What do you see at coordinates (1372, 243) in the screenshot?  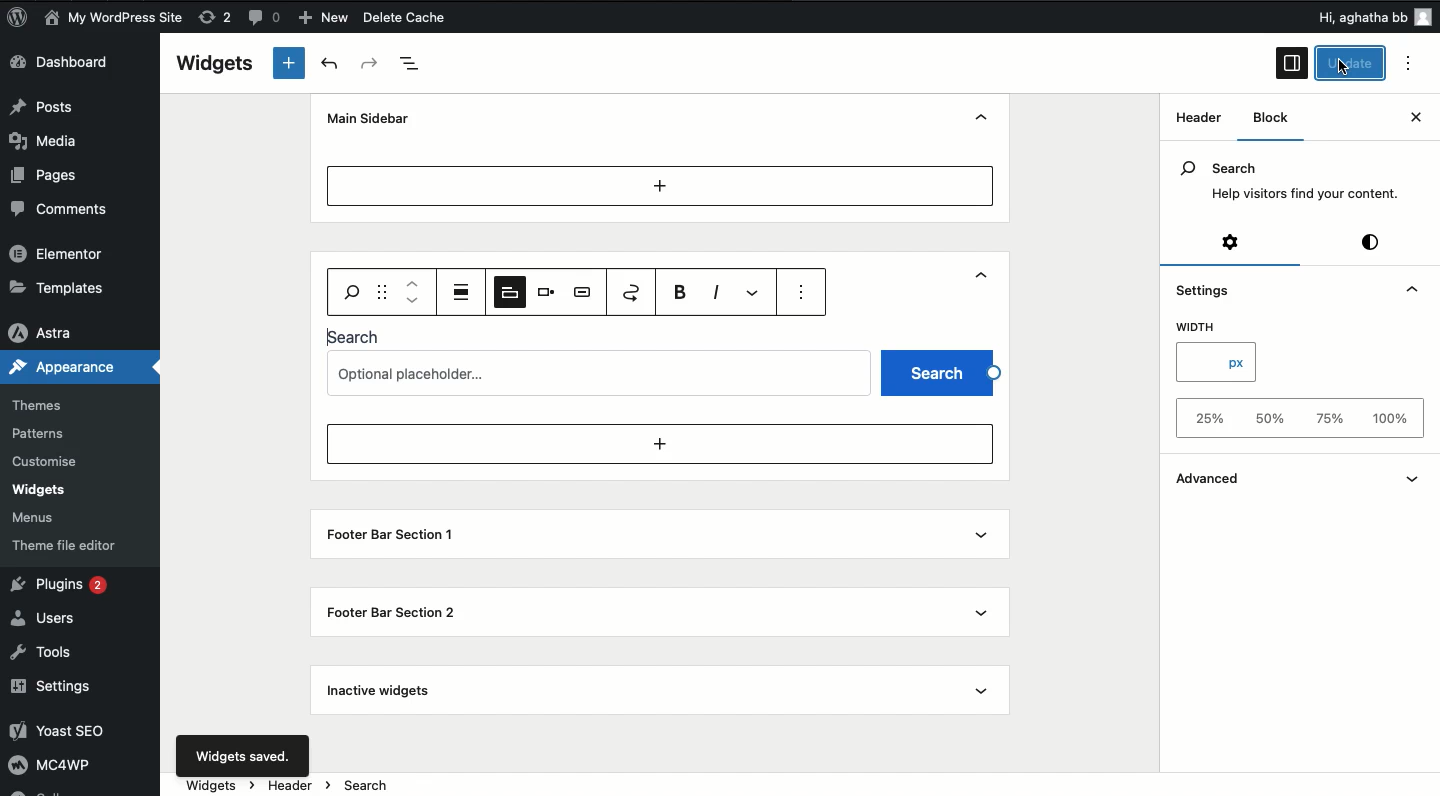 I see `Style` at bounding box center [1372, 243].